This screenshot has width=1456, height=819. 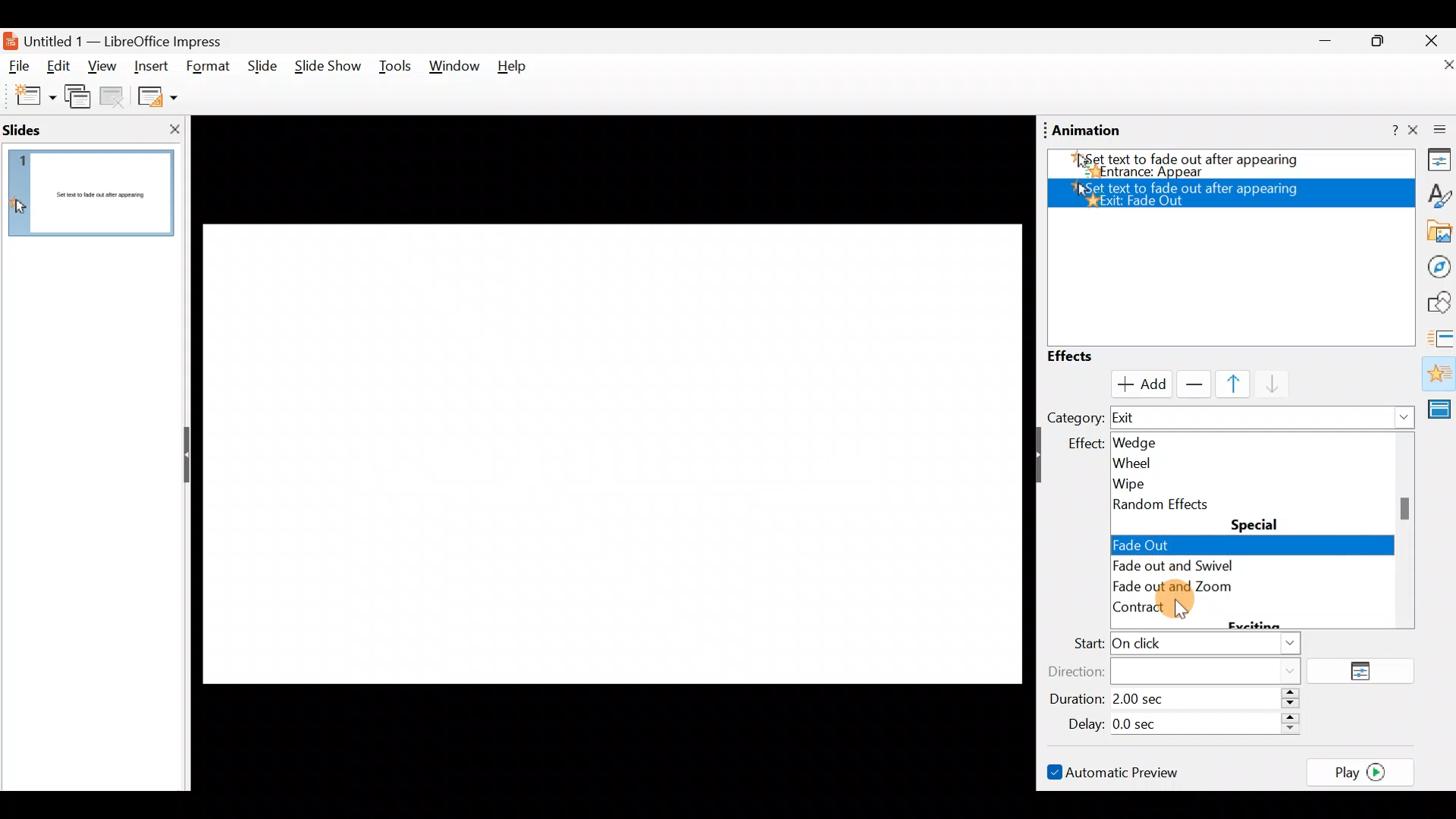 I want to click on Master slides, so click(x=1442, y=408).